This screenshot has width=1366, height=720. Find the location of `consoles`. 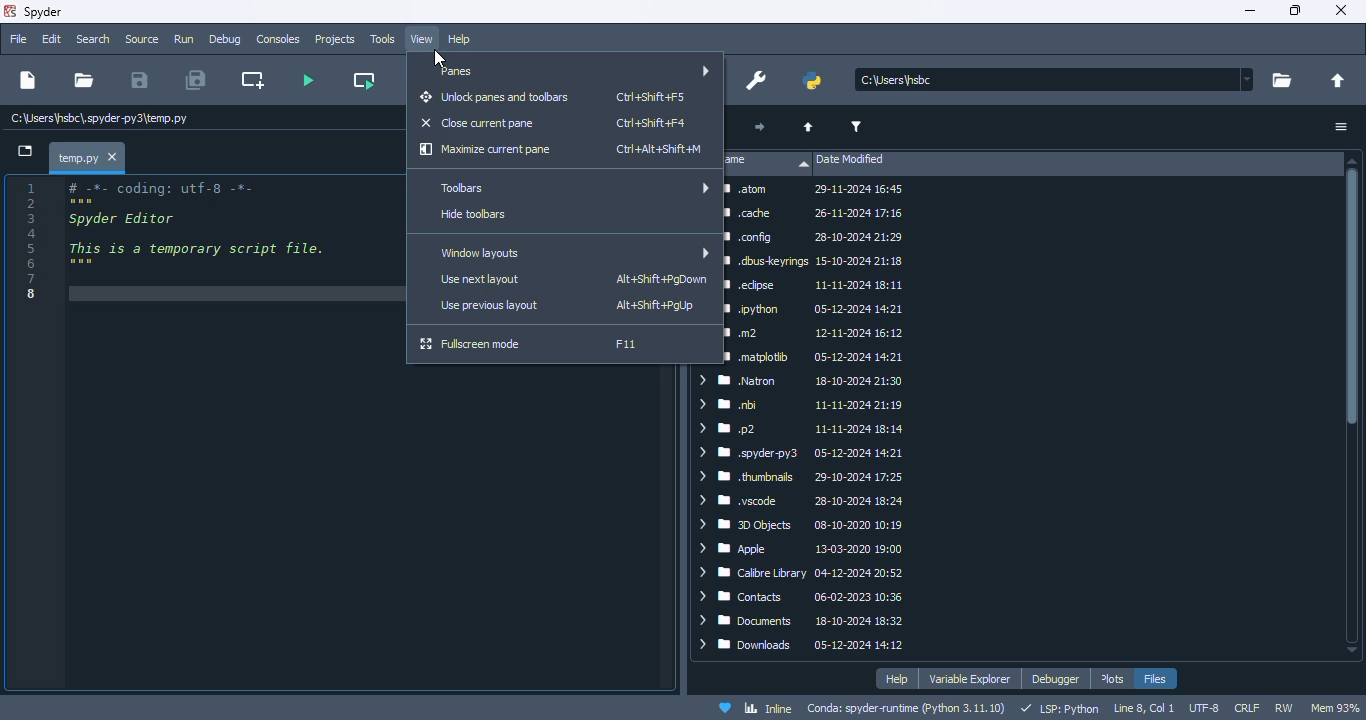

consoles is located at coordinates (277, 39).